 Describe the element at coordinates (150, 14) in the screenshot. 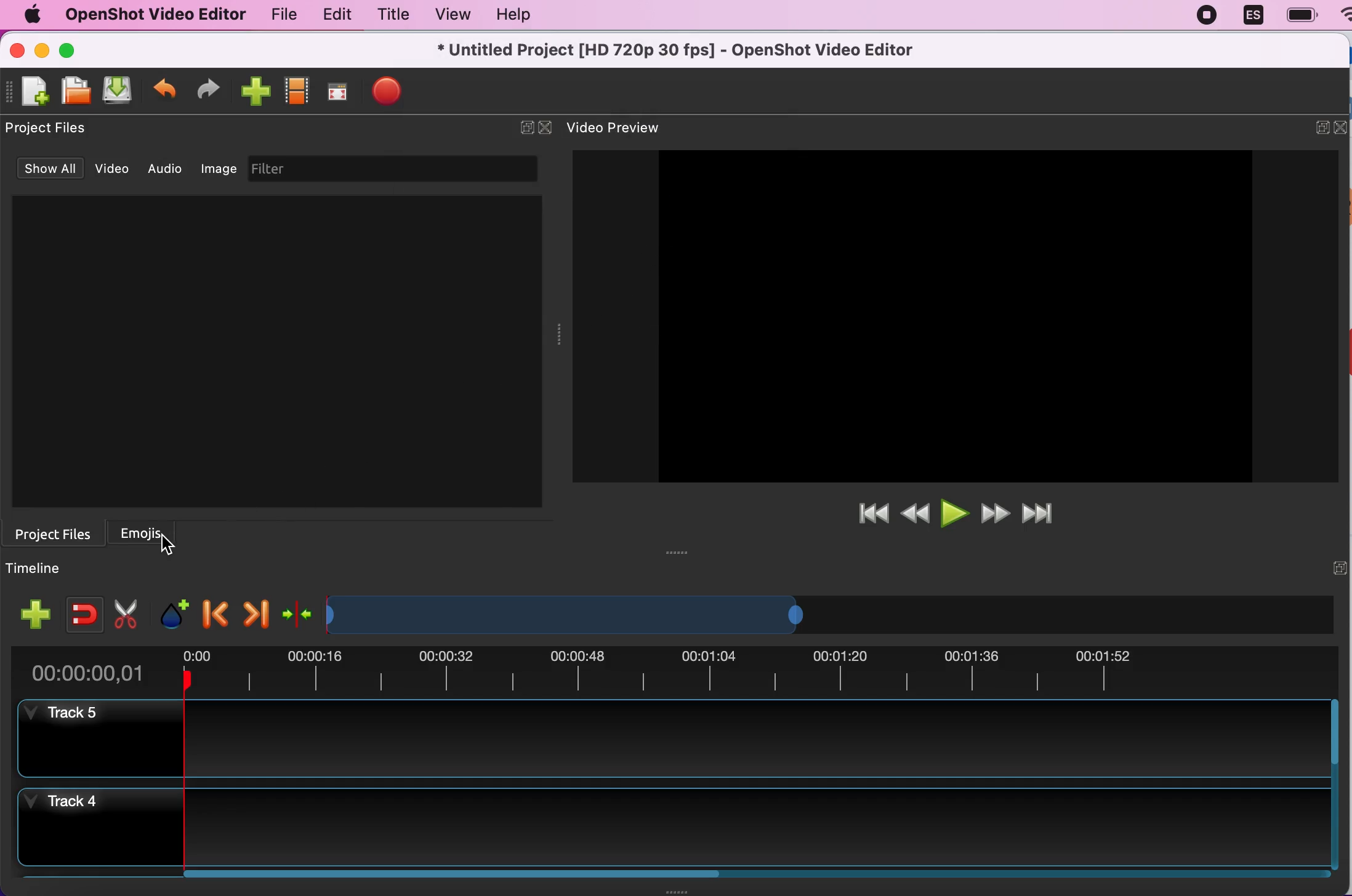

I see `openshot video editor` at that location.